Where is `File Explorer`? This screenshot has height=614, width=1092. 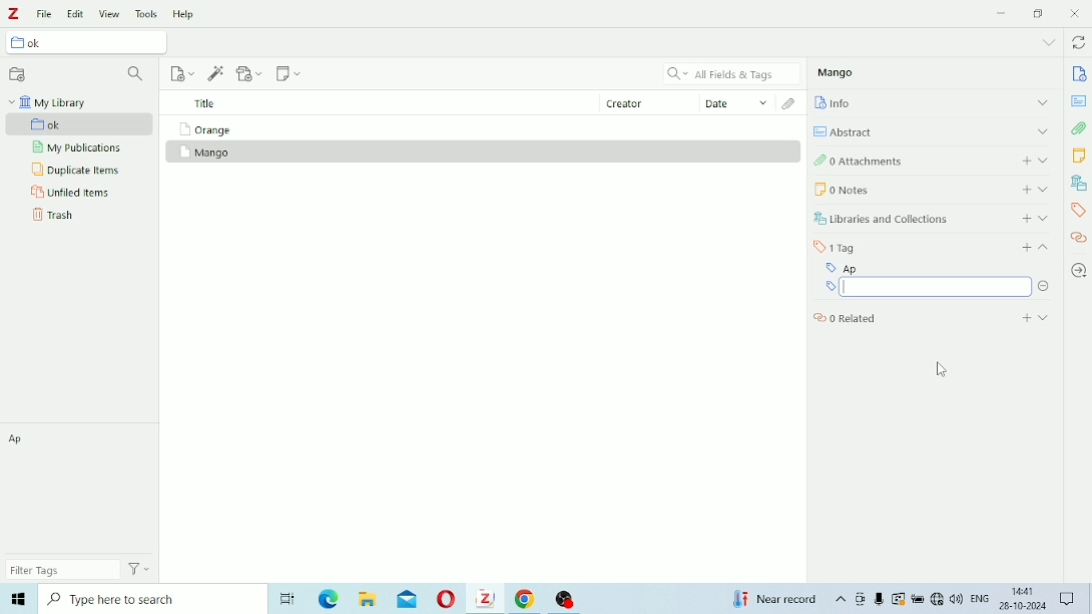 File Explorer is located at coordinates (367, 600).